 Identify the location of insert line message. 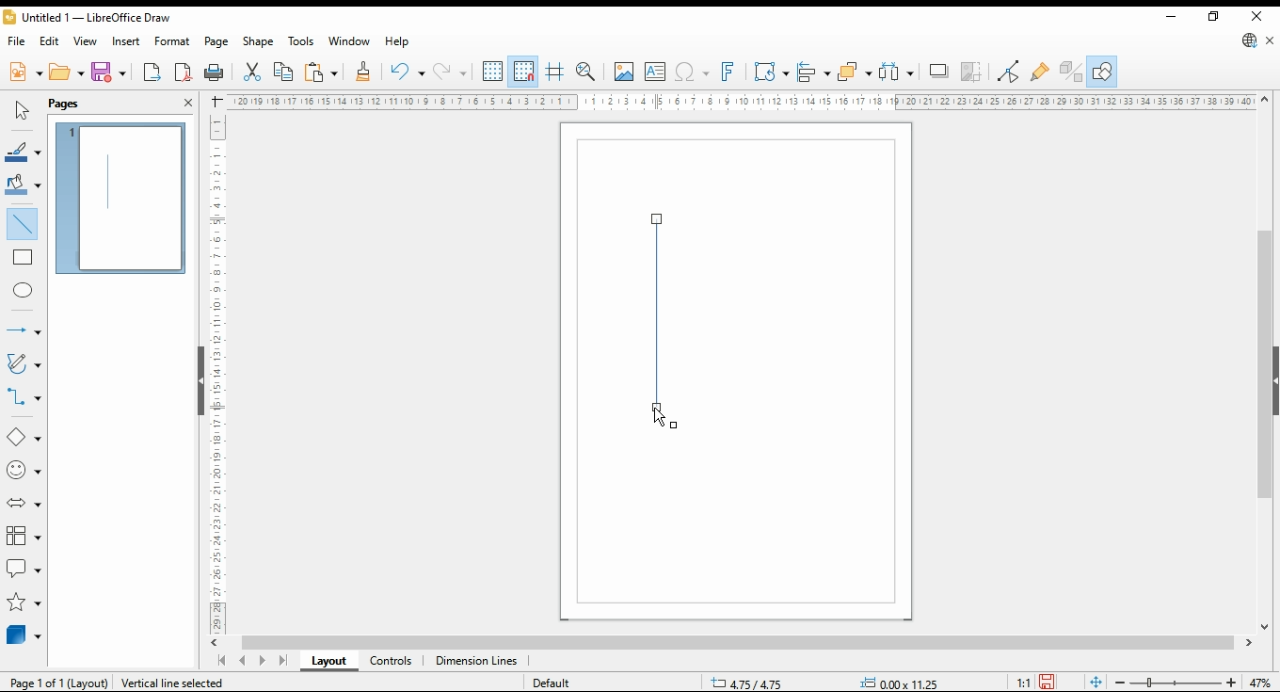
(26, 258).